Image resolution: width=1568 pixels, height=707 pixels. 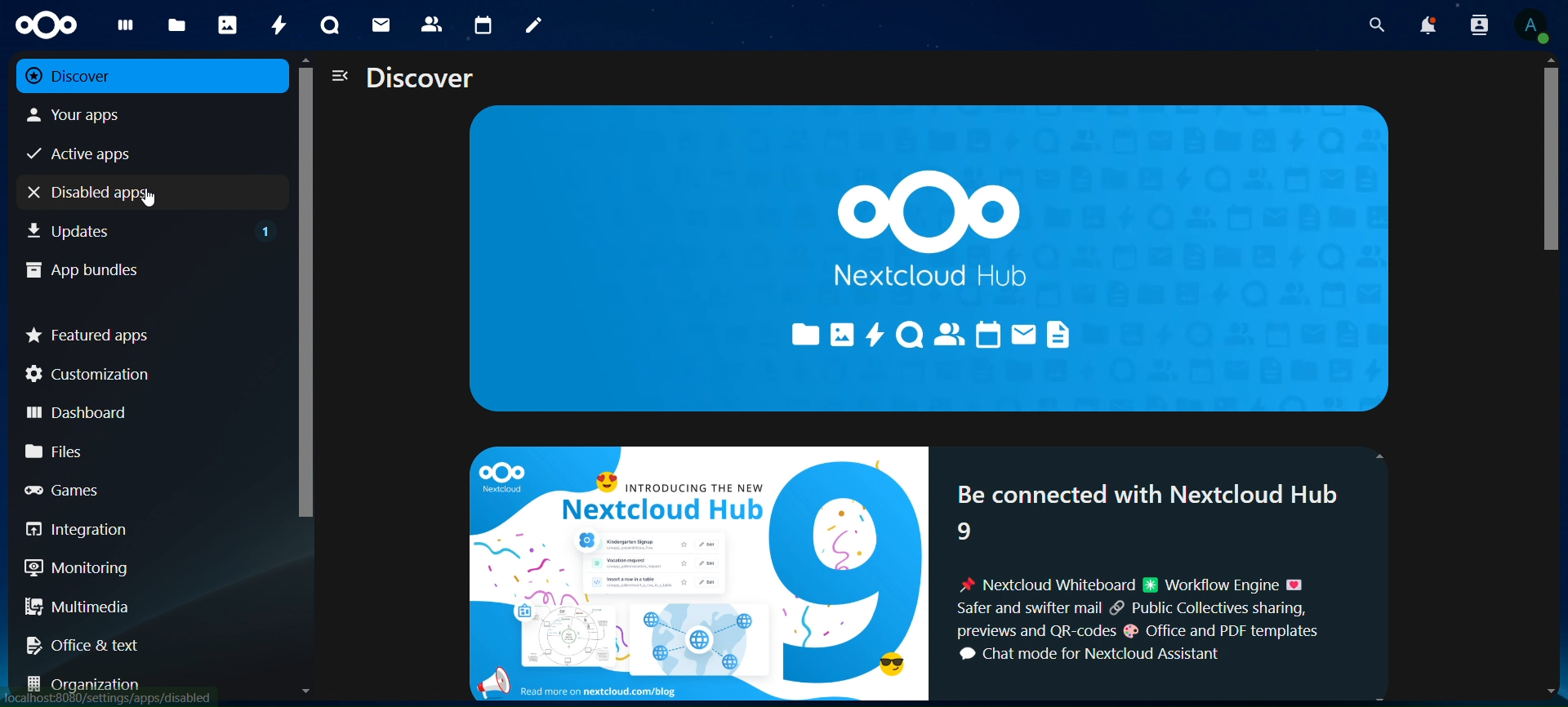 What do you see at coordinates (1534, 26) in the screenshot?
I see `view profile` at bounding box center [1534, 26].